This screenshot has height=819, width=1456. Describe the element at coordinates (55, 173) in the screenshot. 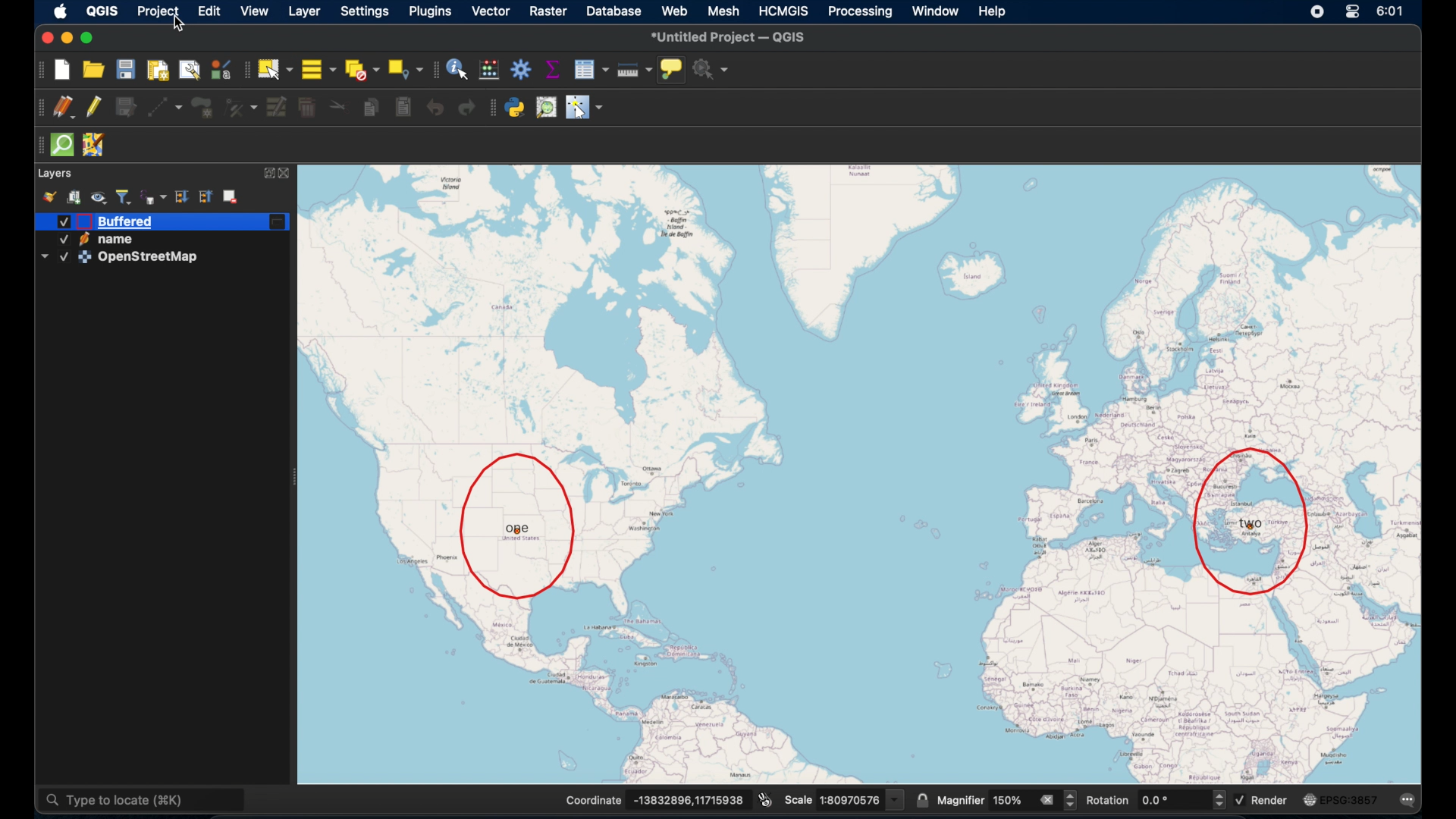

I see `layers` at that location.